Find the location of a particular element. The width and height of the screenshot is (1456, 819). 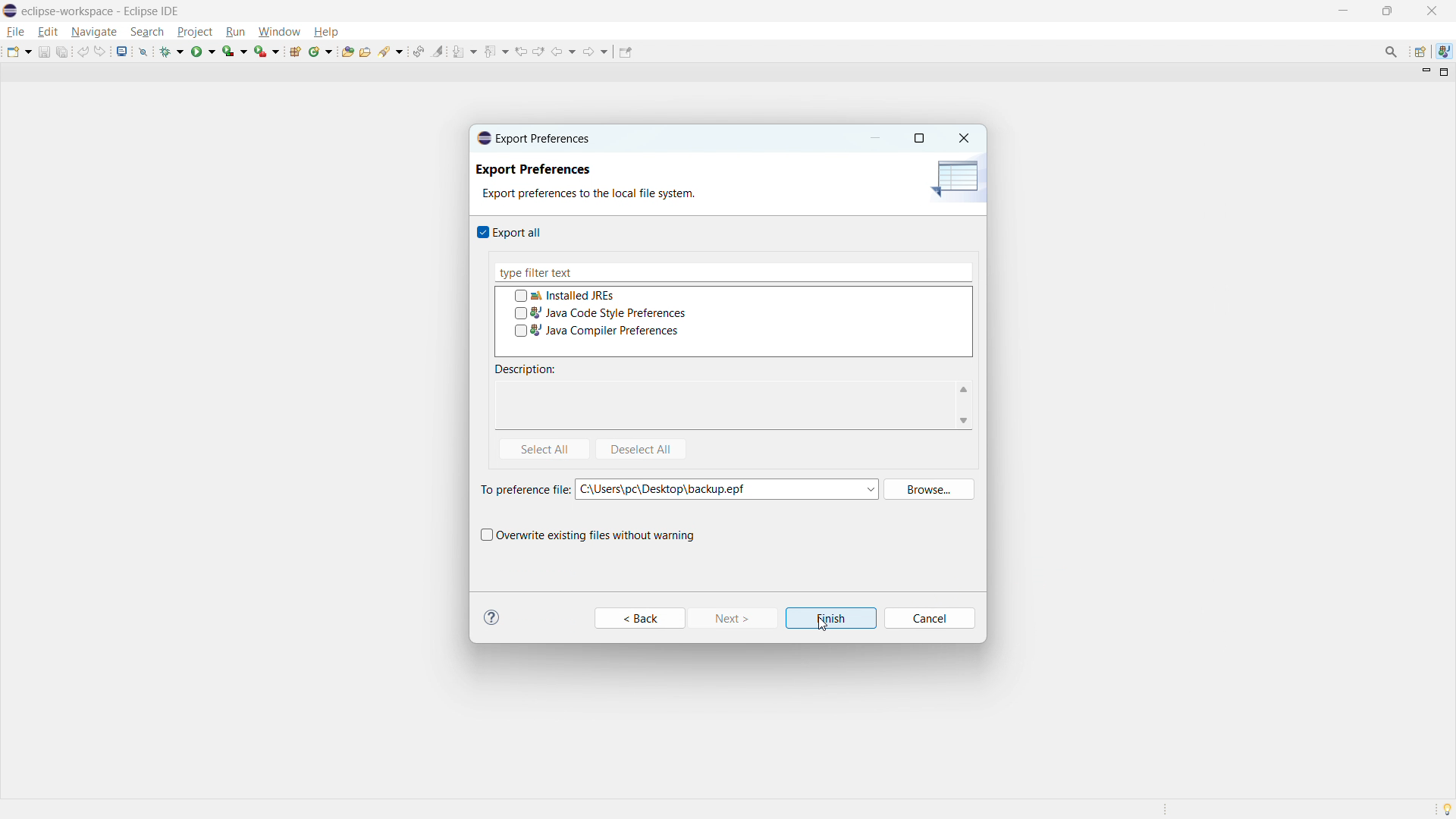

view next location is located at coordinates (539, 51).